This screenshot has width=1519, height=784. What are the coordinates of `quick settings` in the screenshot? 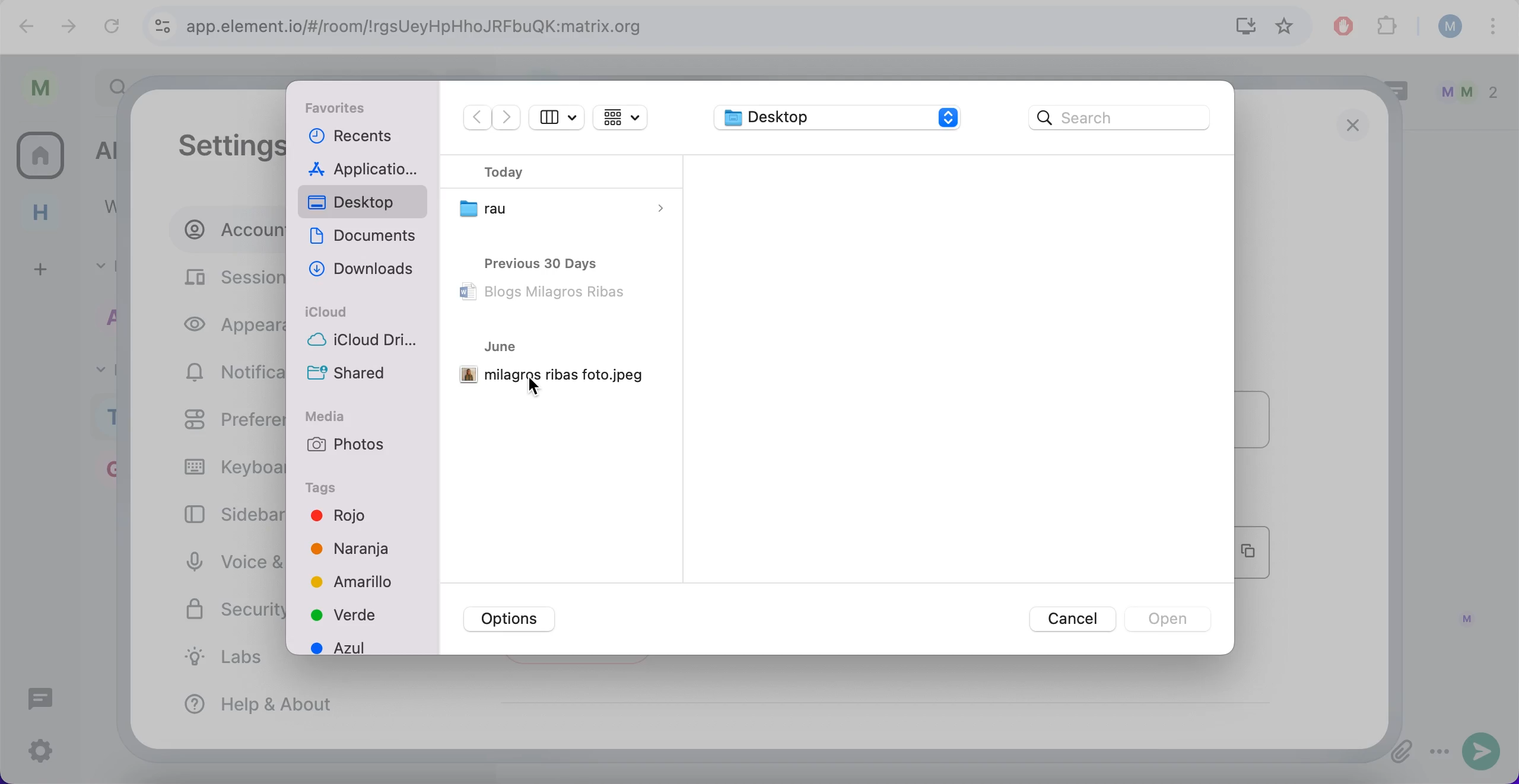 It's located at (42, 751).